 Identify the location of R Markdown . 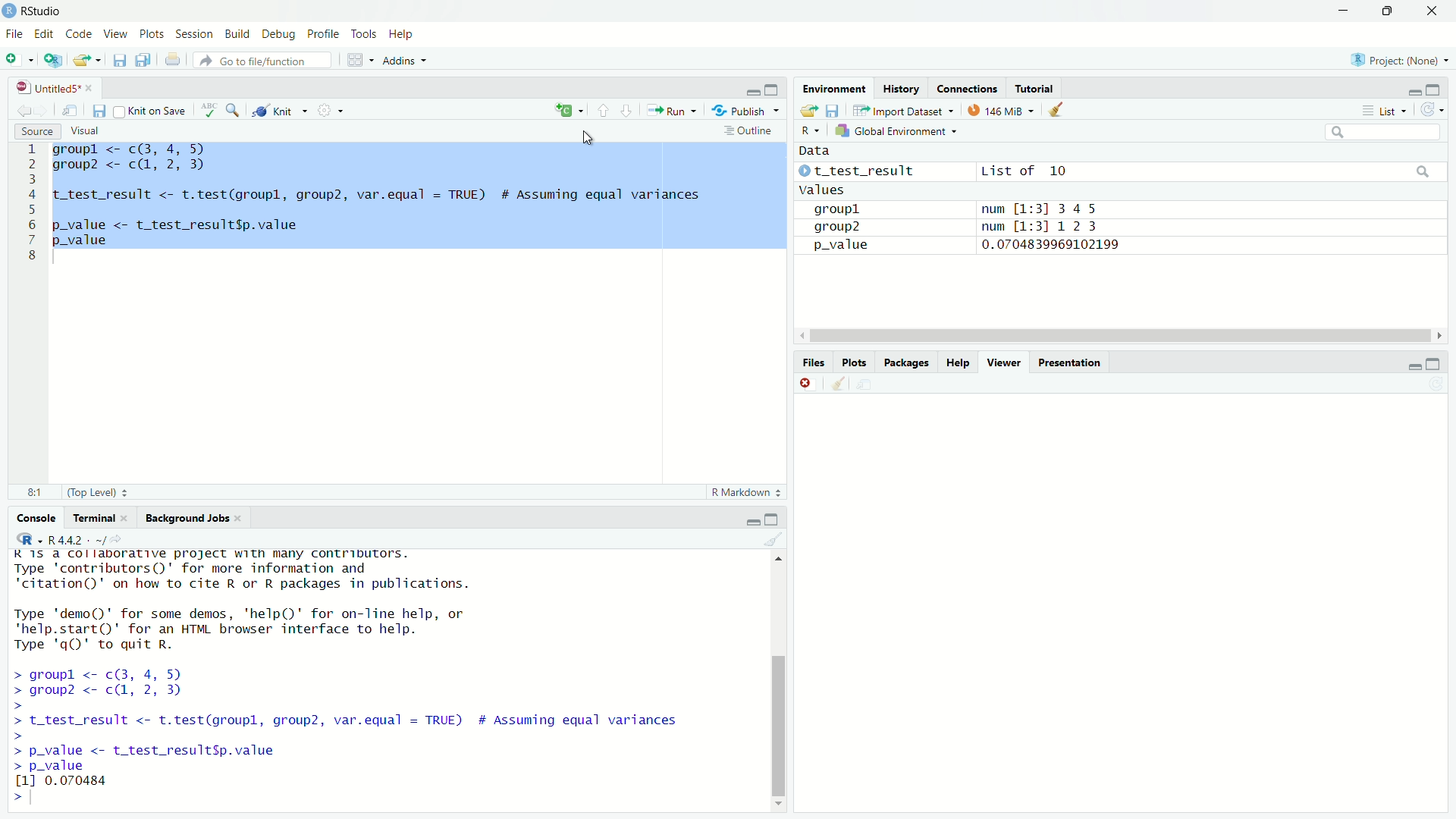
(745, 493).